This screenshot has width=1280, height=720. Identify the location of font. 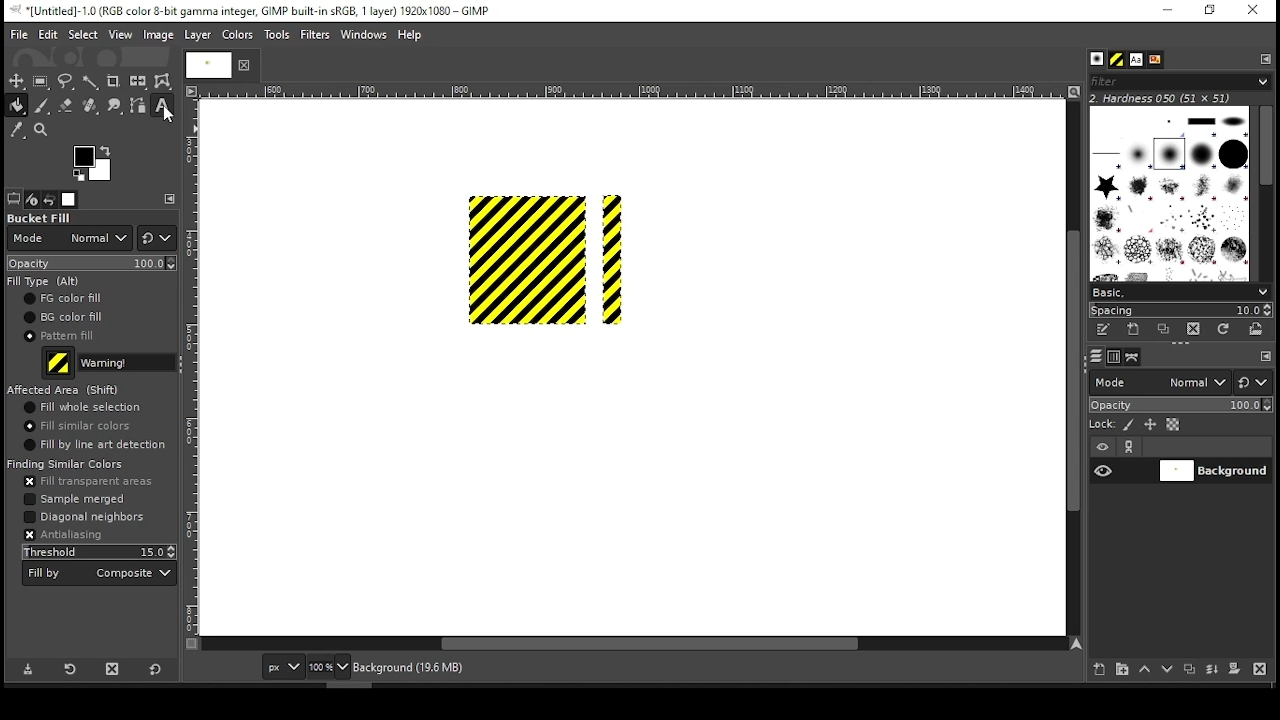
(1135, 60).